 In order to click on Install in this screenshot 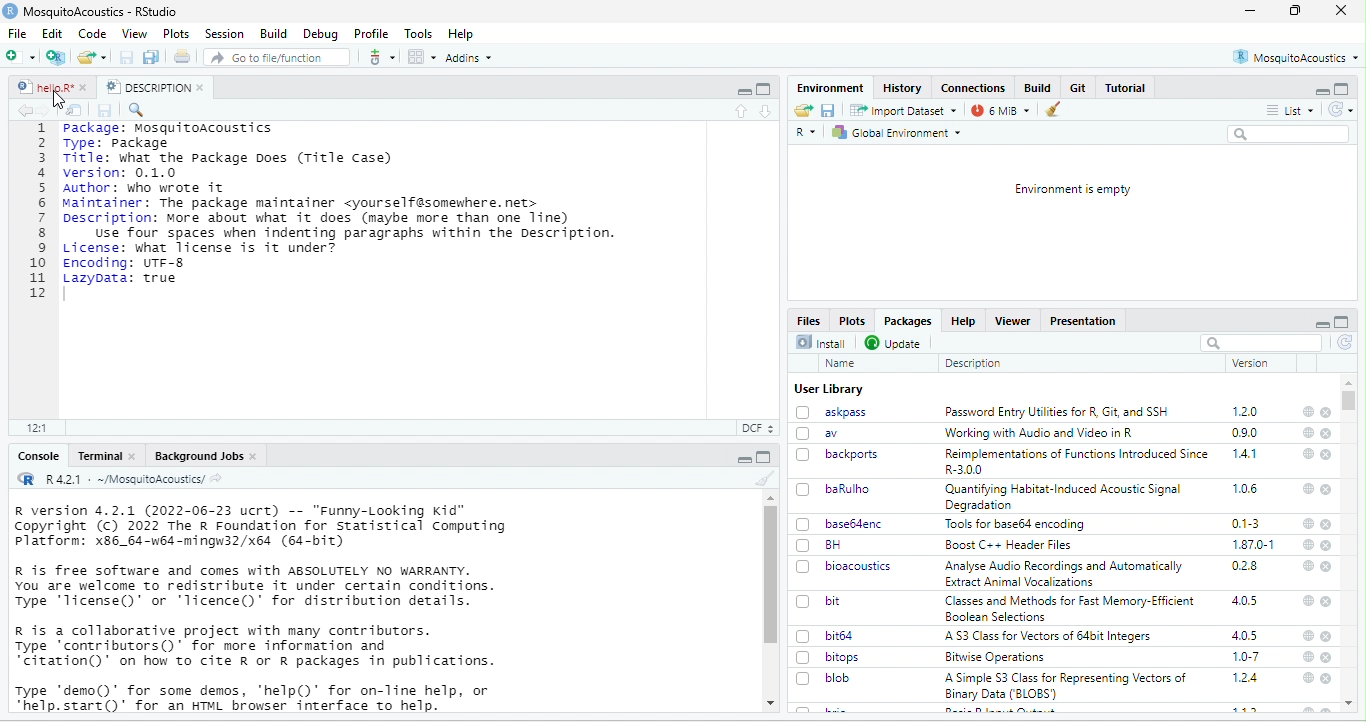, I will do `click(821, 342)`.